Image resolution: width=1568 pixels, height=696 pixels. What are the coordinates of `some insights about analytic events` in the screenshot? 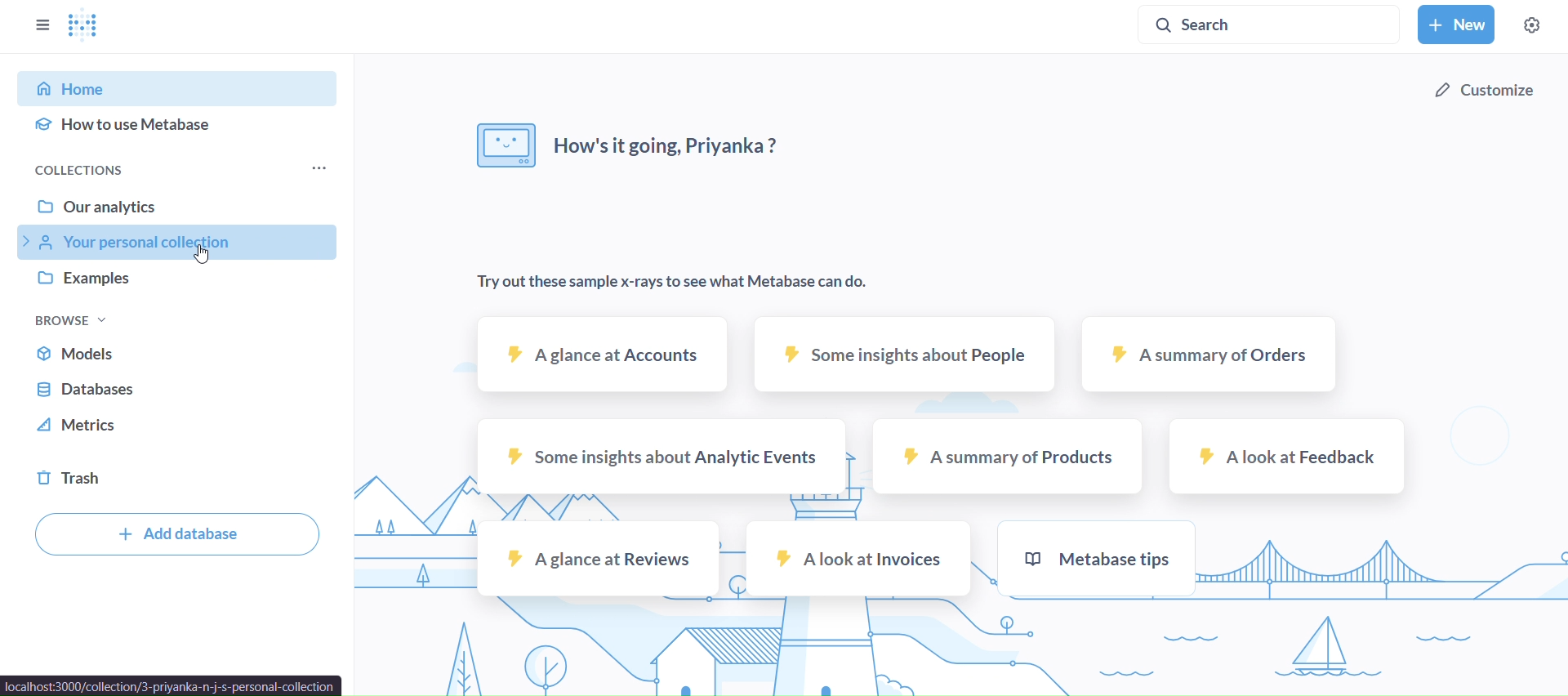 It's located at (663, 457).